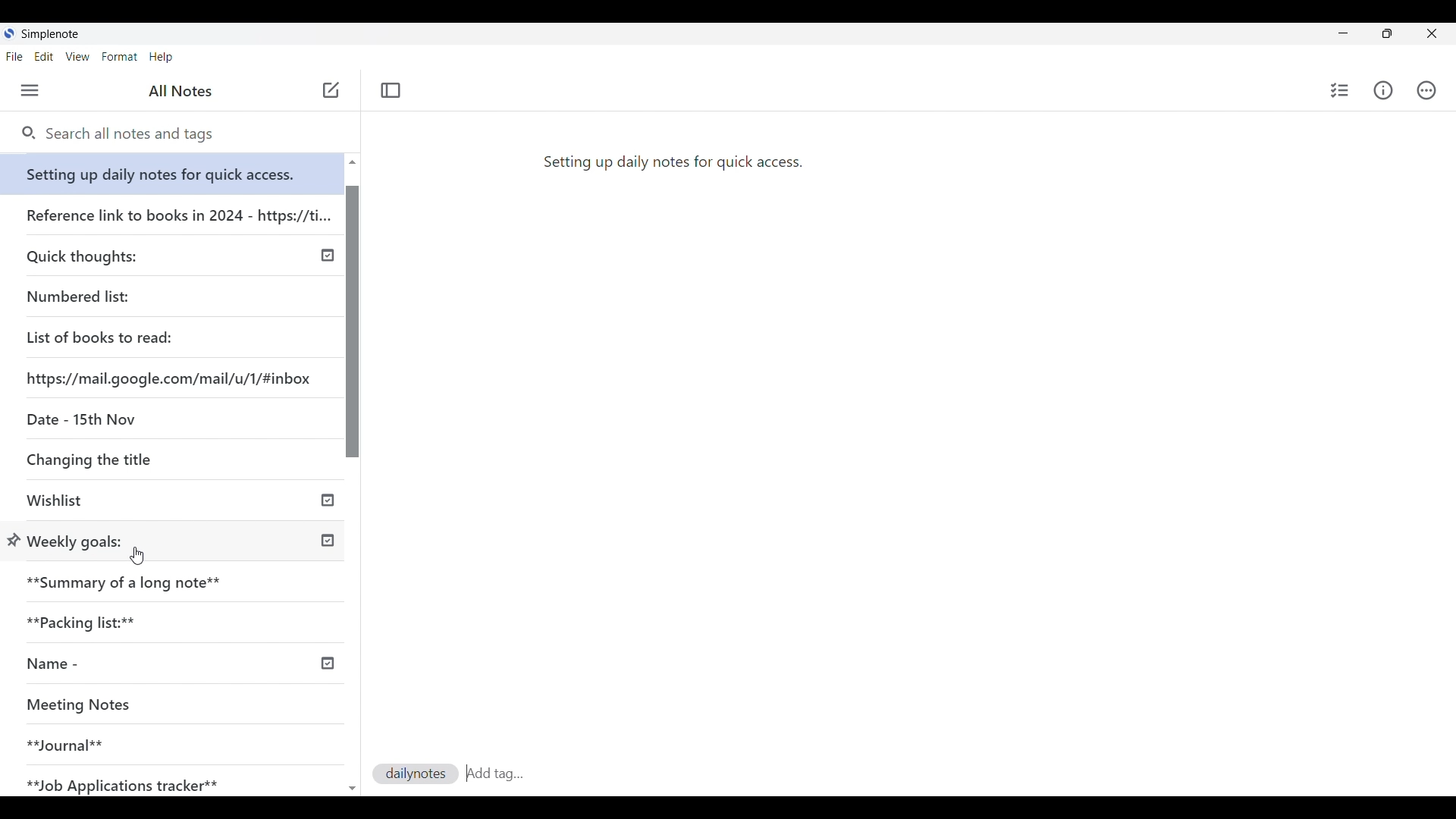 This screenshot has height=819, width=1456. I want to click on View menu, so click(77, 57).